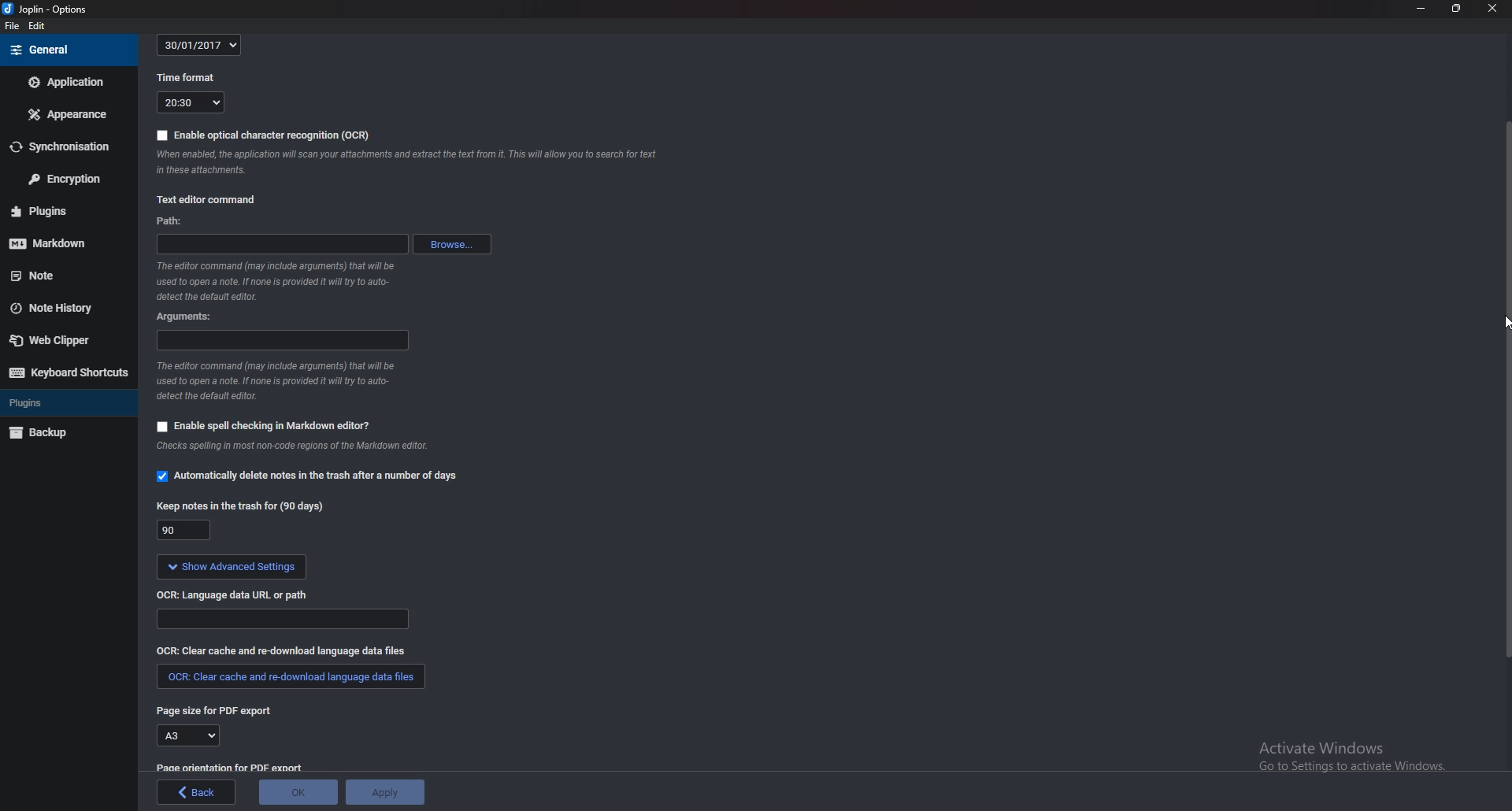 This screenshot has height=811, width=1512. Describe the element at coordinates (282, 243) in the screenshot. I see `path` at that location.